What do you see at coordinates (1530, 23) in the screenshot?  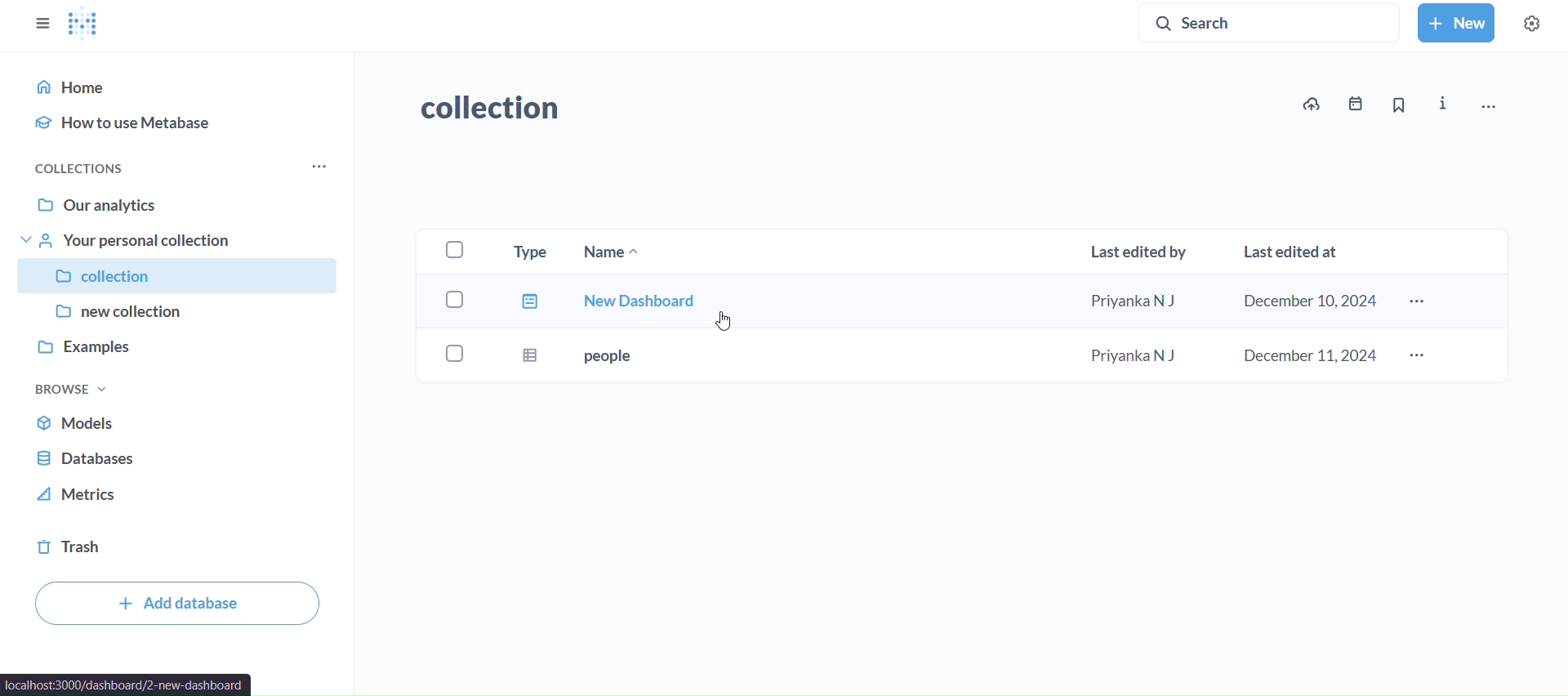 I see `settings` at bounding box center [1530, 23].